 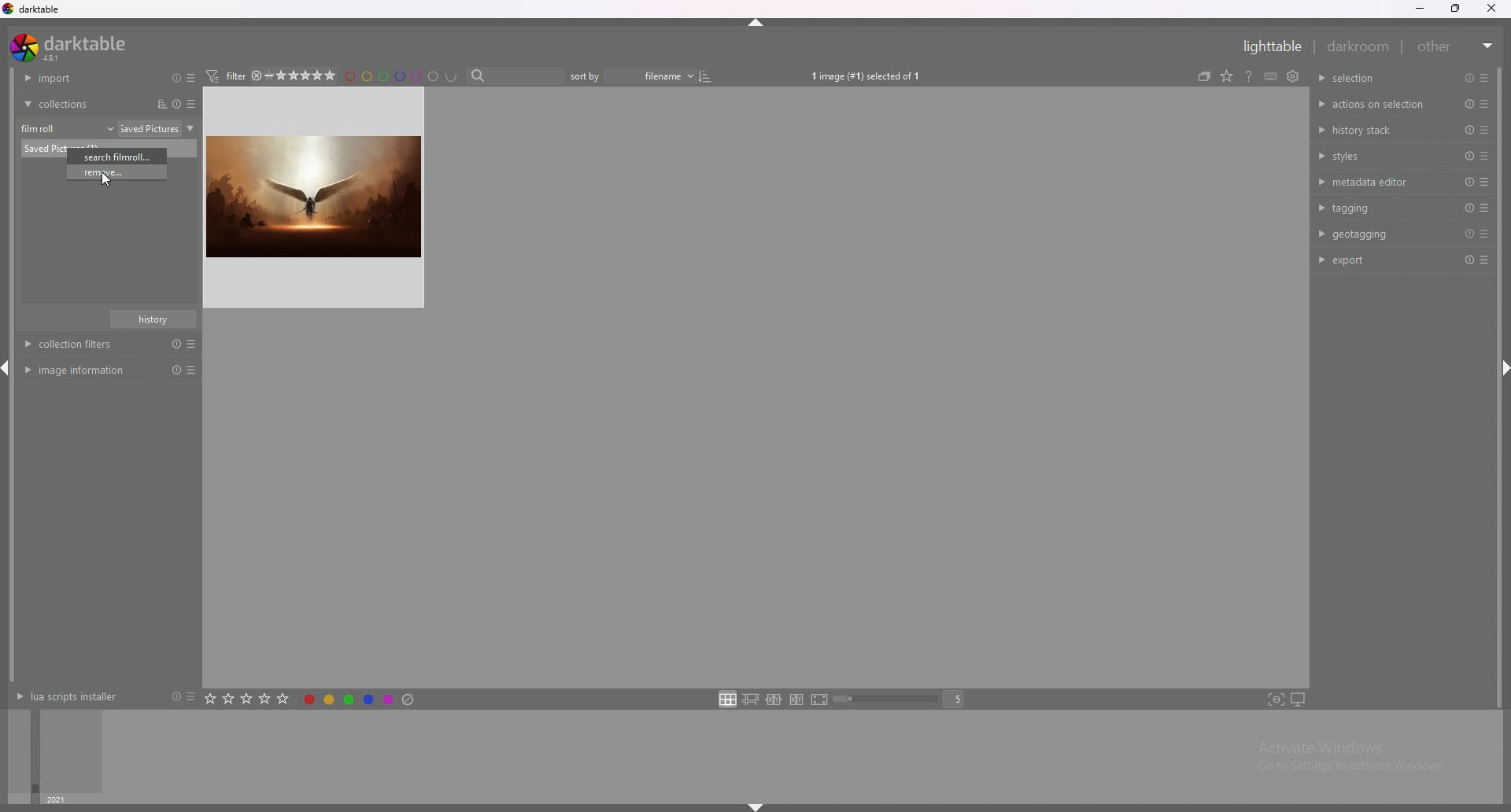 I want to click on IMAGE, so click(x=318, y=197).